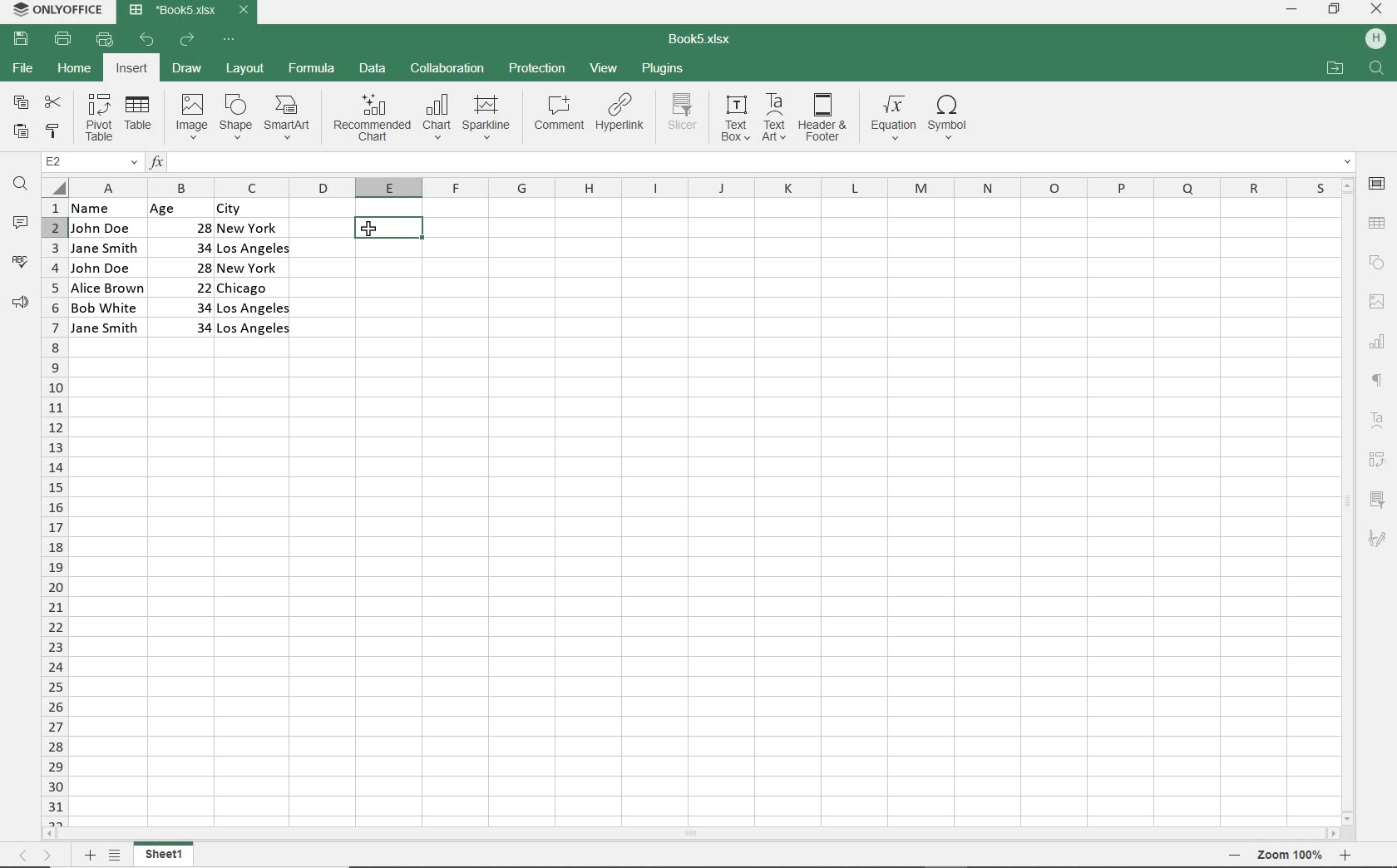 Image resolution: width=1397 pixels, height=868 pixels. What do you see at coordinates (107, 288) in the screenshot?
I see `Alice Brown` at bounding box center [107, 288].